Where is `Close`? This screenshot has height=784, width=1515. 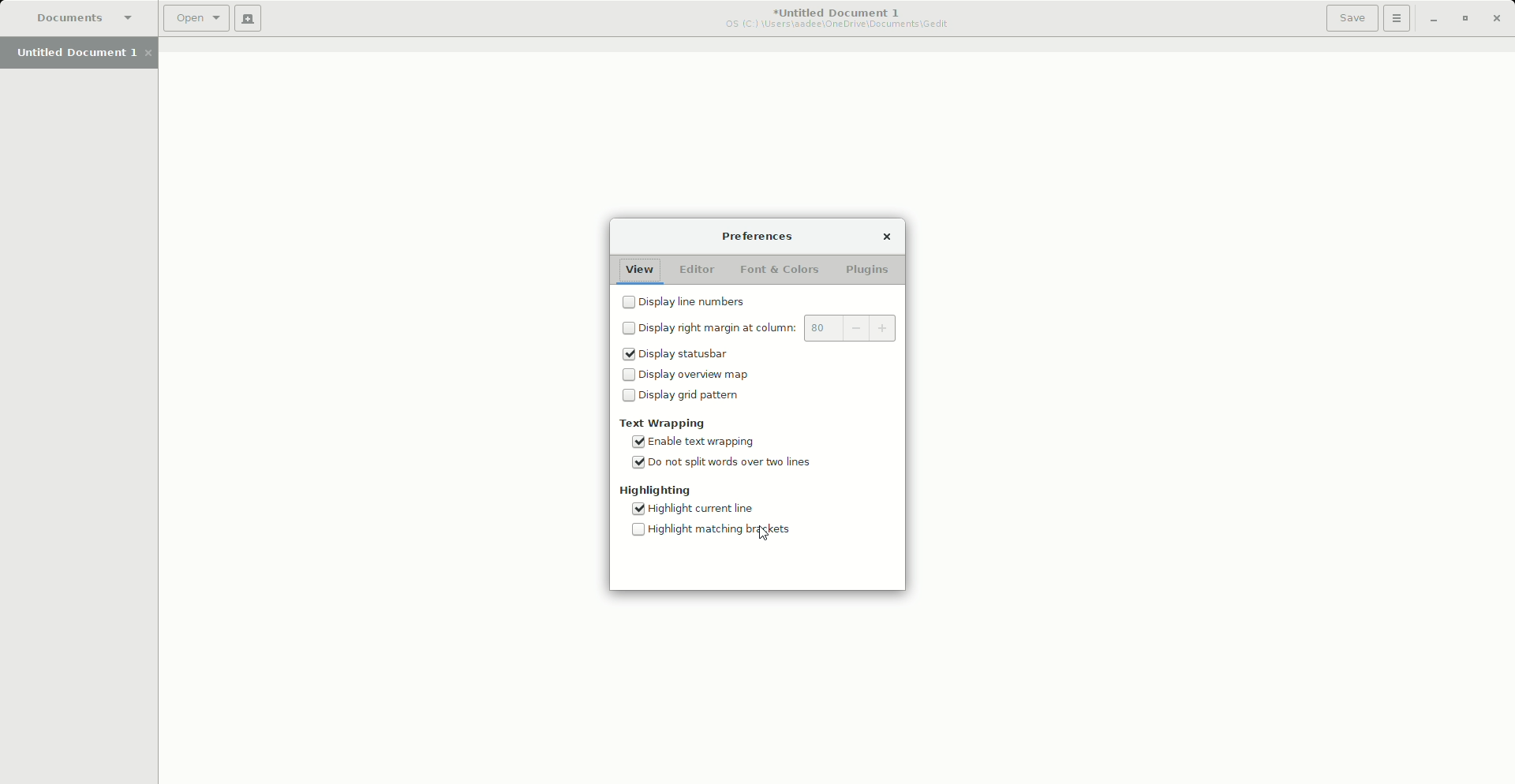
Close is located at coordinates (1499, 17).